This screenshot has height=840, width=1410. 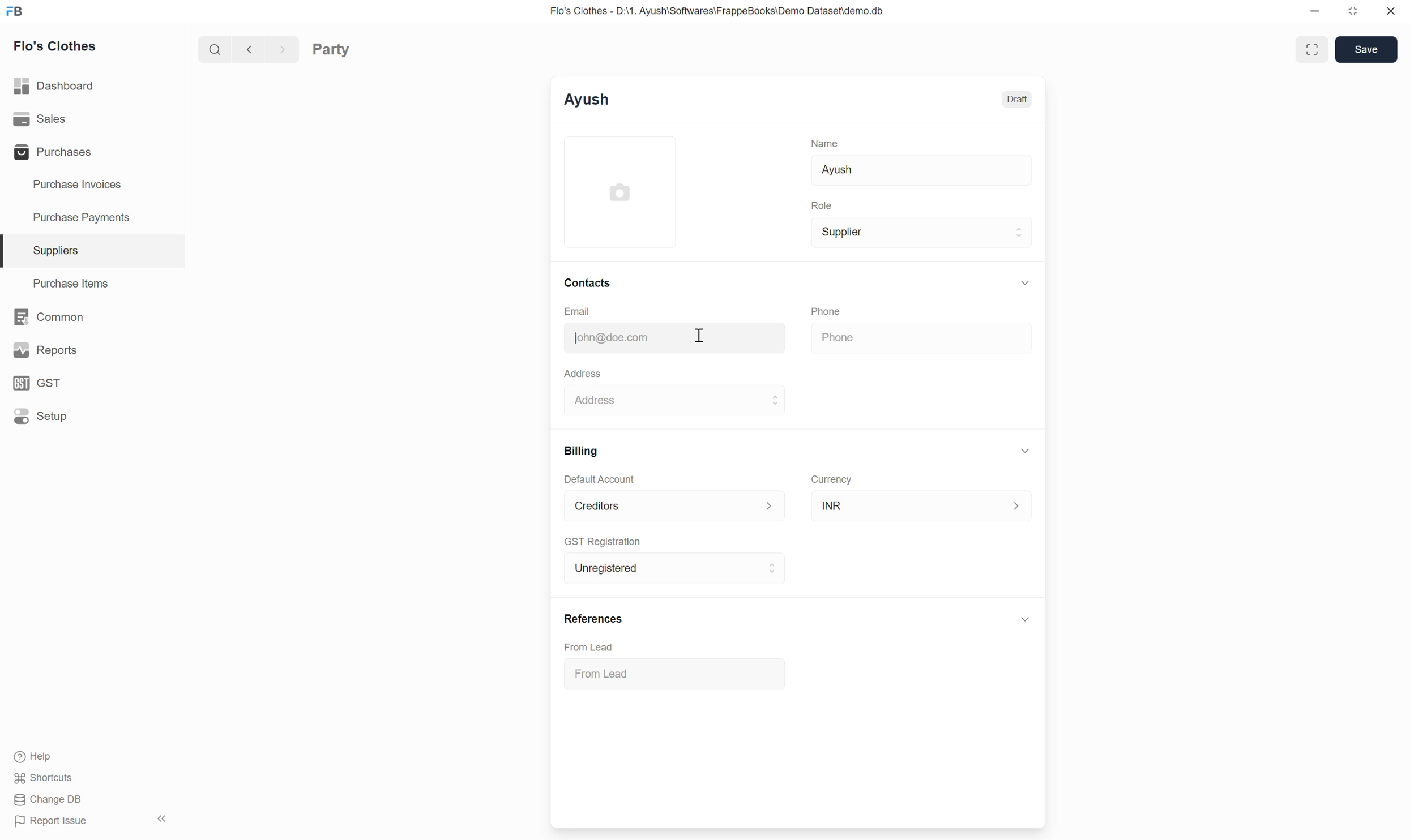 What do you see at coordinates (91, 185) in the screenshot?
I see `Purchase Invoices` at bounding box center [91, 185].